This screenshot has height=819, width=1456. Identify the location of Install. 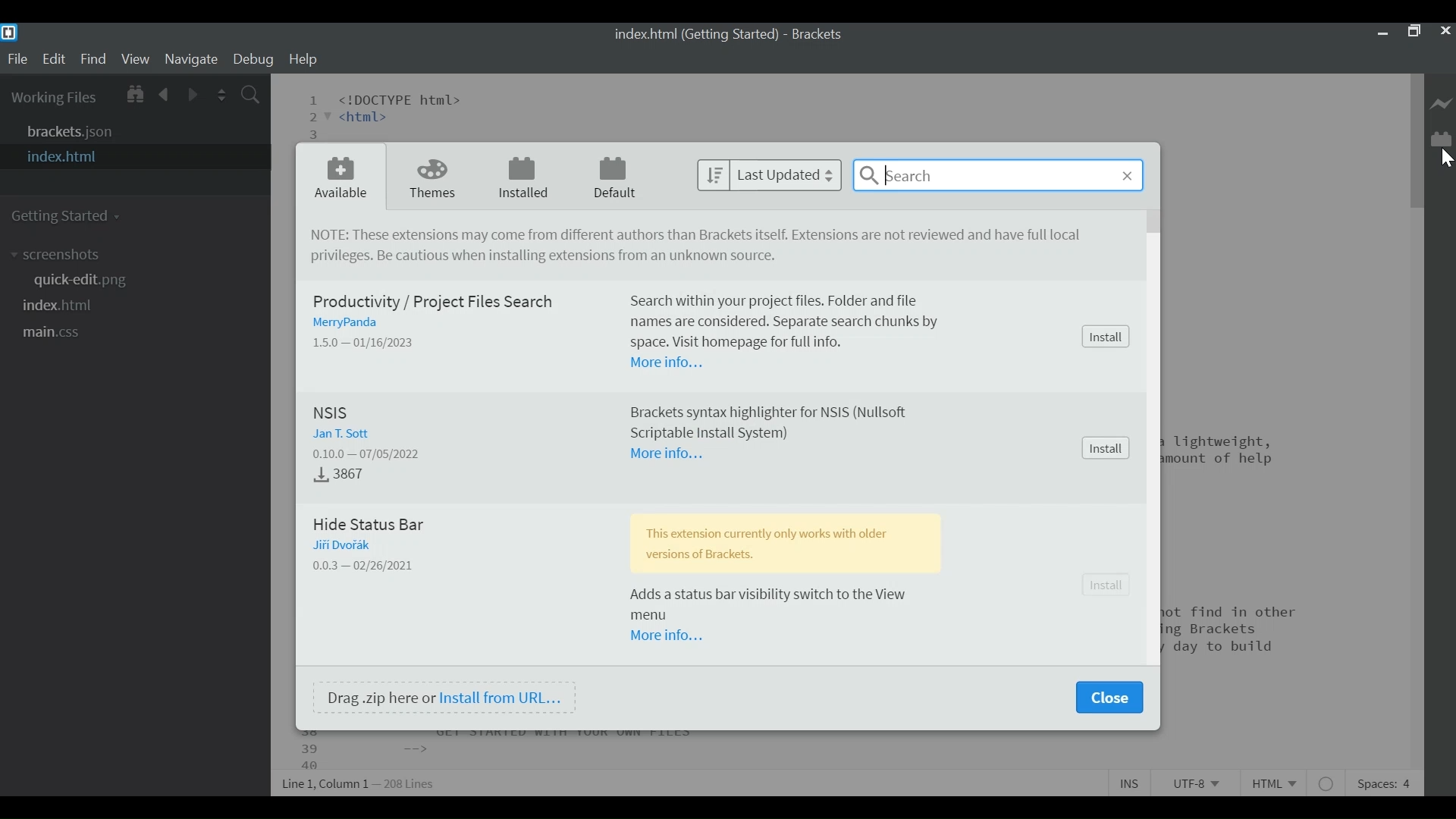
(1109, 448).